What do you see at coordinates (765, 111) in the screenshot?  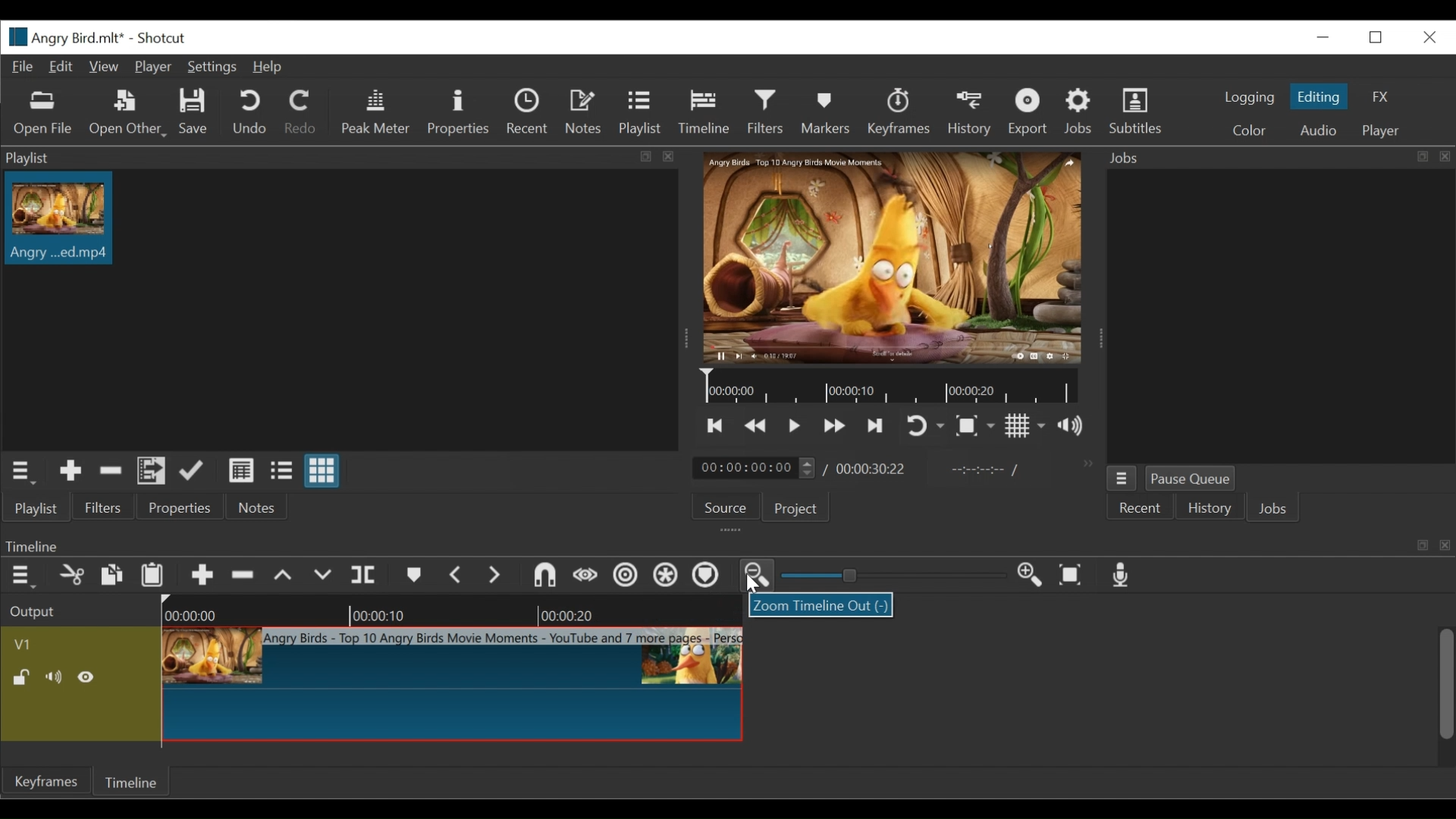 I see `Filter` at bounding box center [765, 111].